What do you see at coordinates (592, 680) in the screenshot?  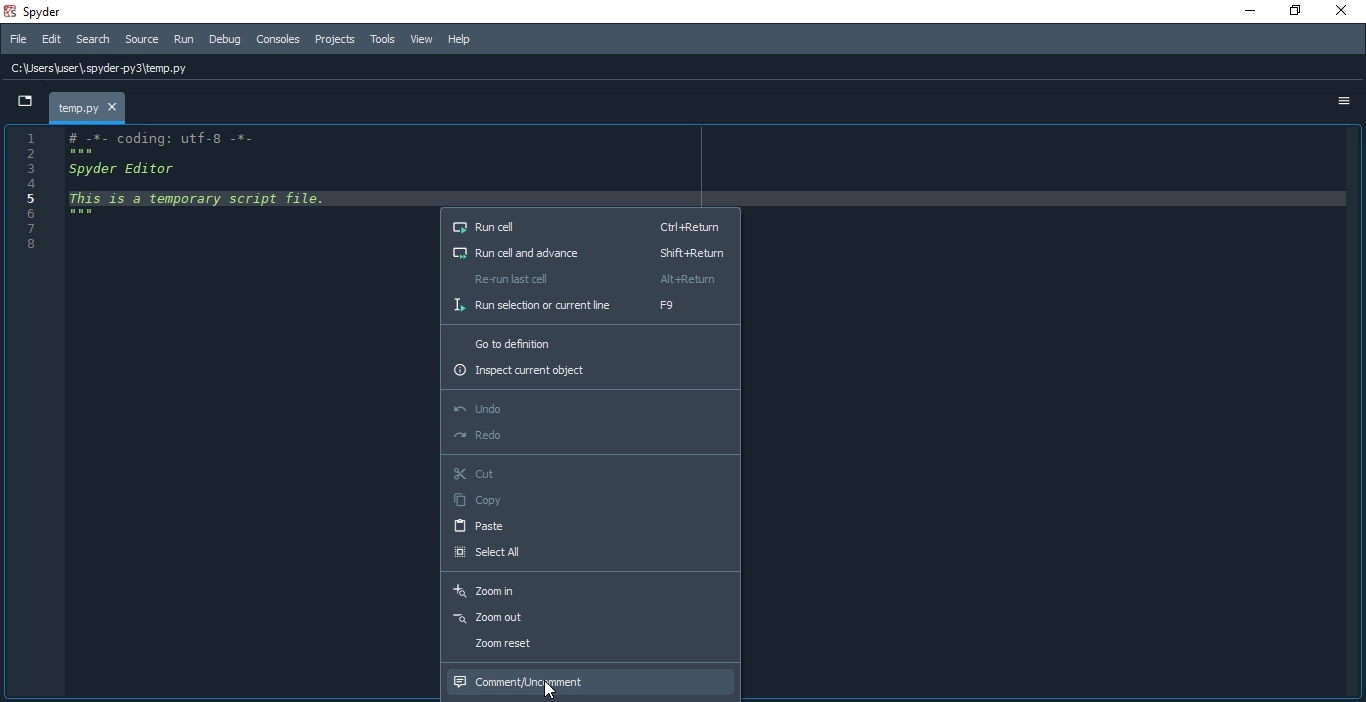 I see `Comment/Uncomment` at bounding box center [592, 680].